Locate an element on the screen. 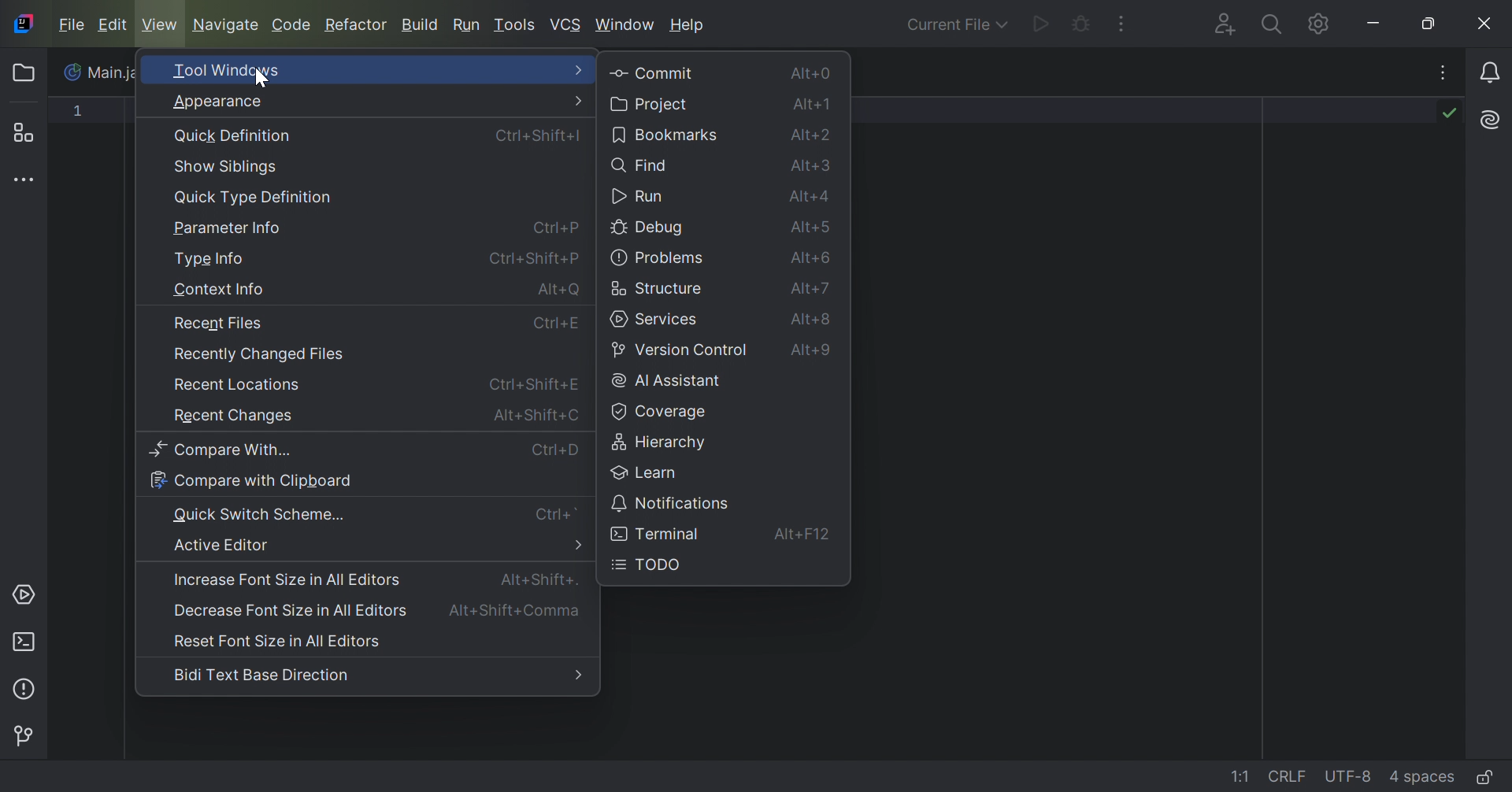 Image resolution: width=1512 pixels, height=792 pixels. Alt+Shift+C is located at coordinates (537, 414).